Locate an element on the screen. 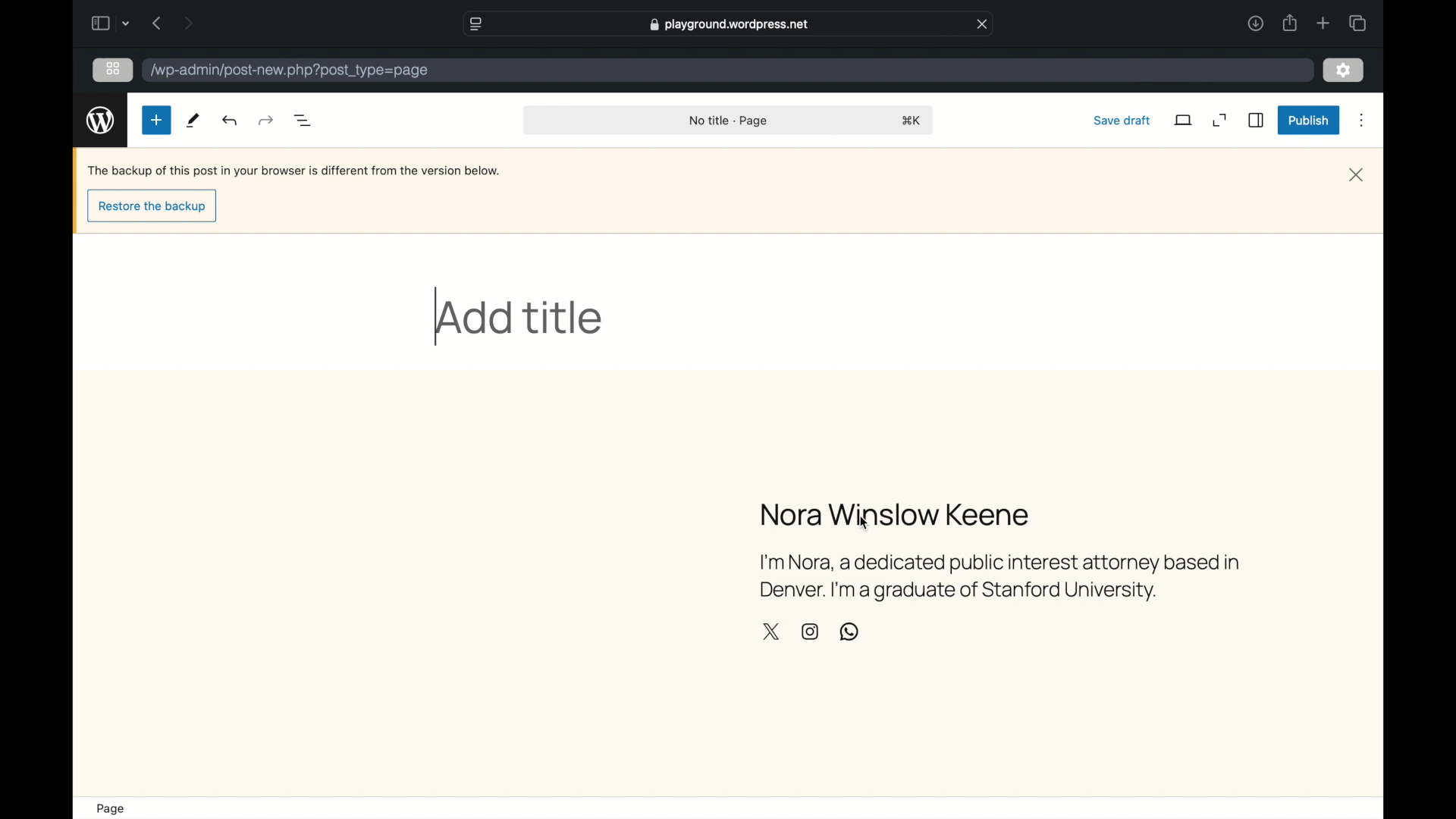 Image resolution: width=1456 pixels, height=819 pixels. website settings is located at coordinates (475, 24).